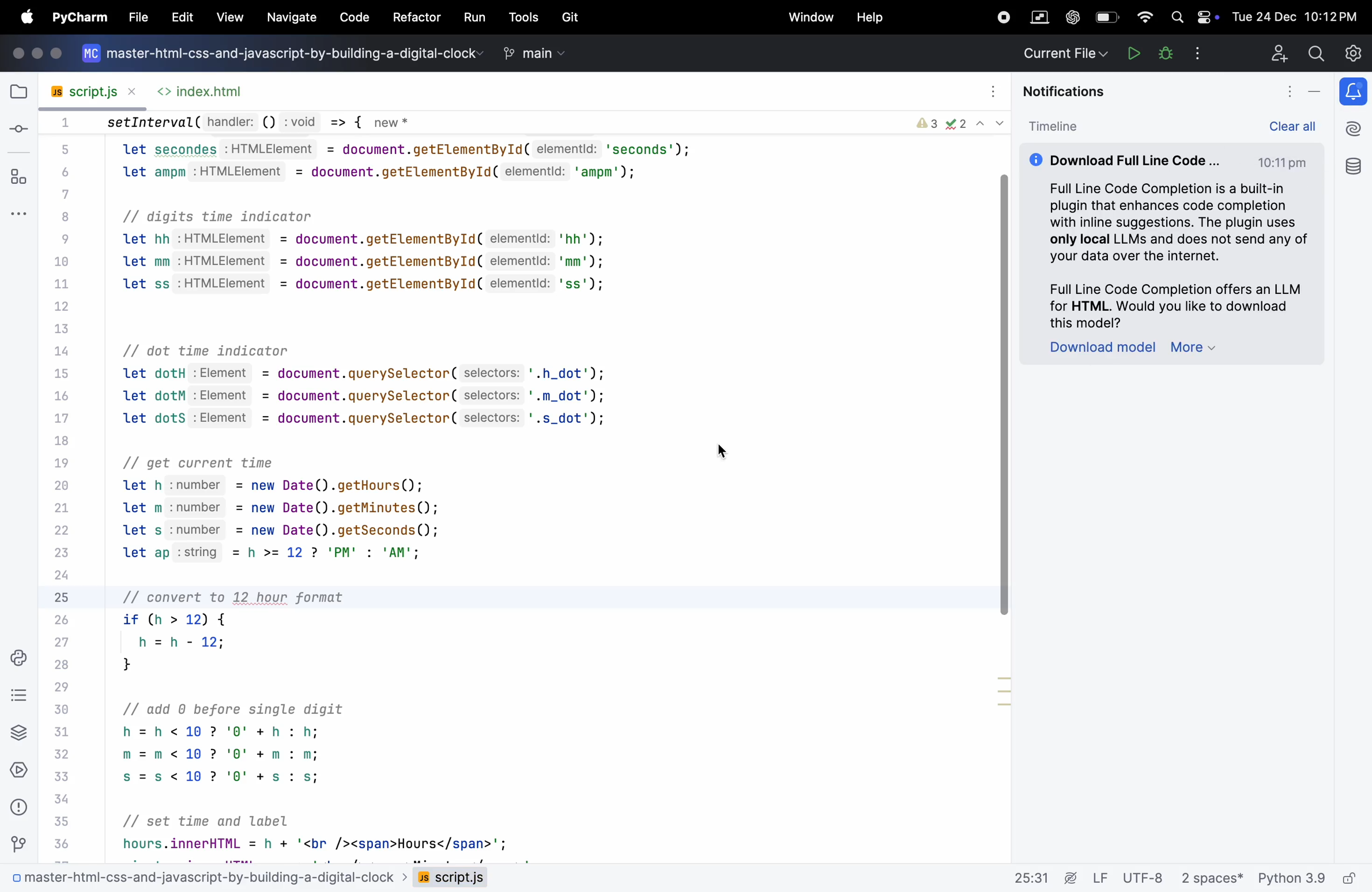 Image resolution: width=1372 pixels, height=892 pixels. Describe the element at coordinates (1132, 52) in the screenshot. I see `Run` at that location.